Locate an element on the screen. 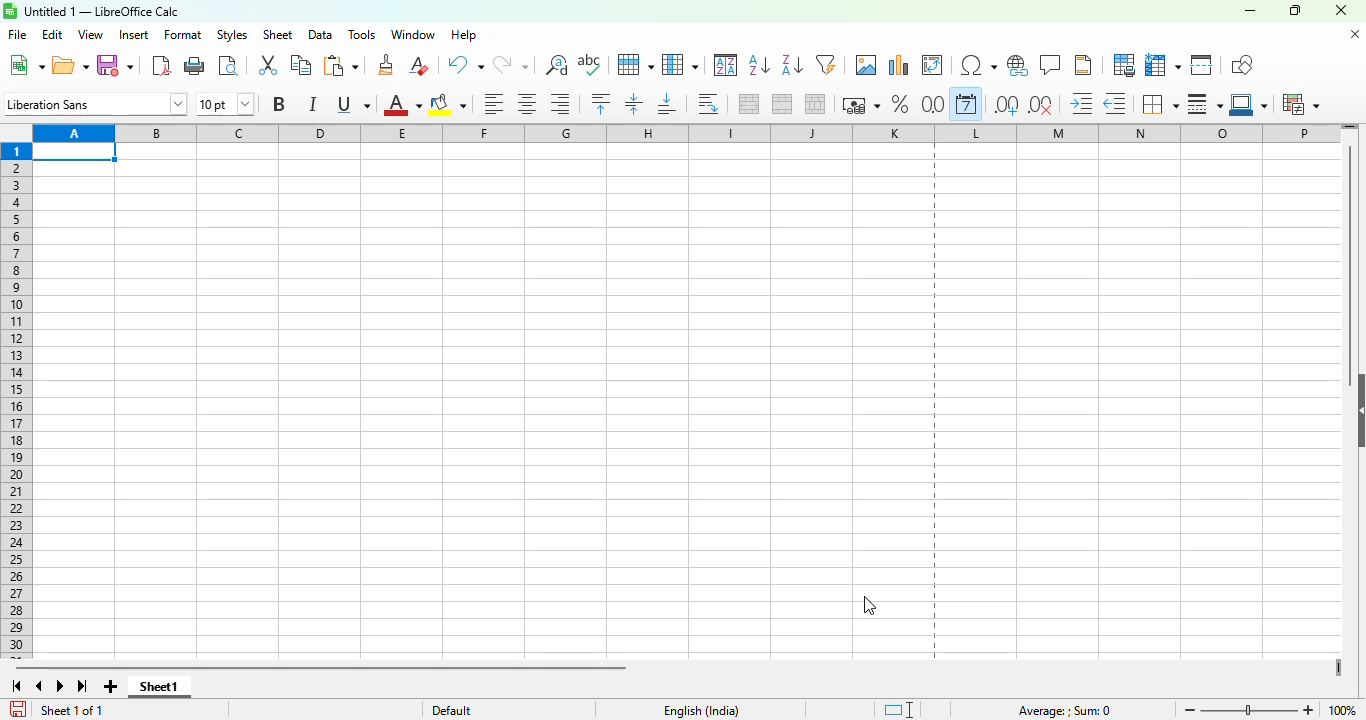 This screenshot has width=1366, height=720. row is located at coordinates (636, 65).